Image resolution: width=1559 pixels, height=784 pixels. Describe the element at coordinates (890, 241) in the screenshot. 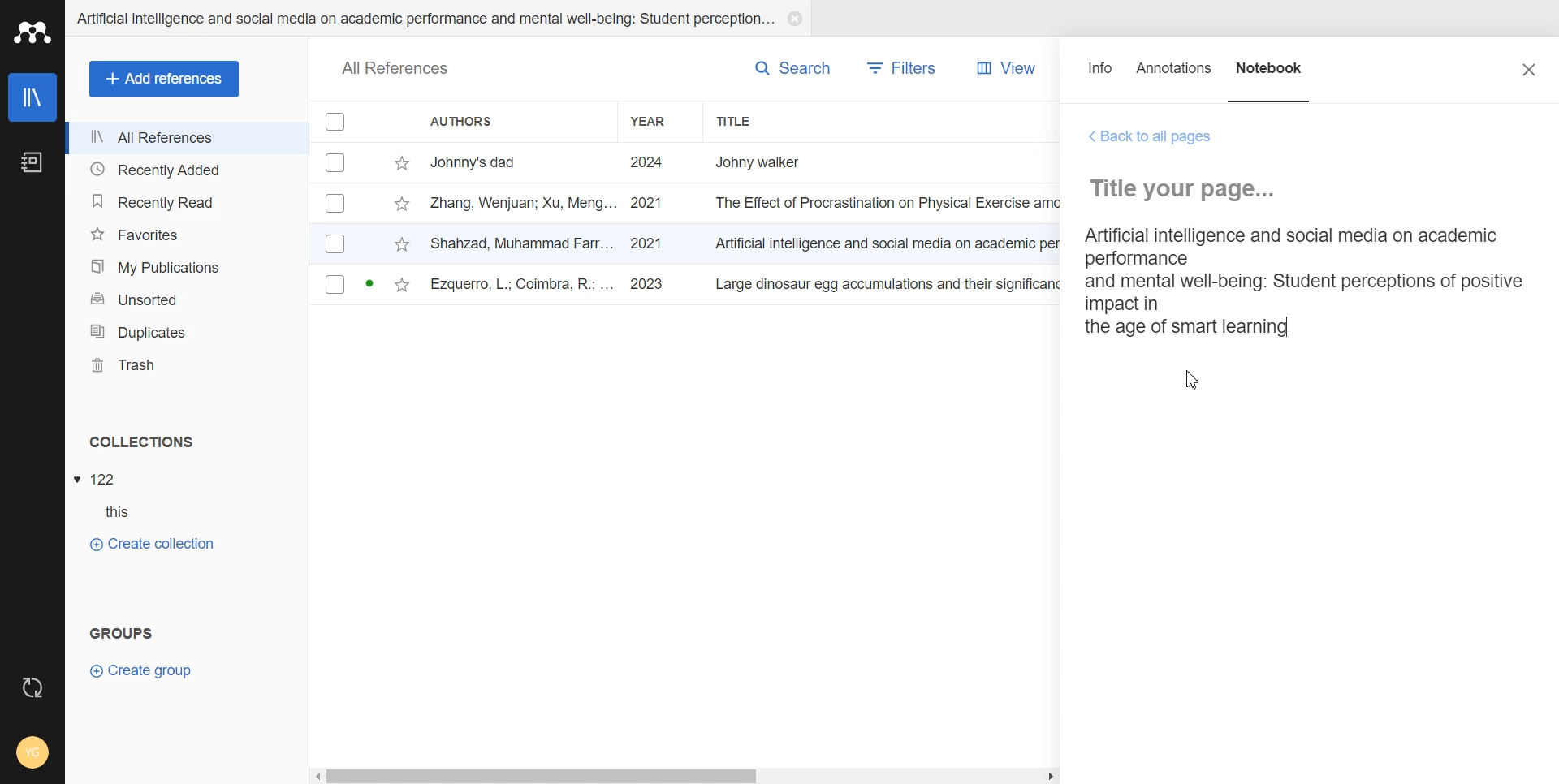

I see `Artificial intelligence and social media on academic per` at that location.